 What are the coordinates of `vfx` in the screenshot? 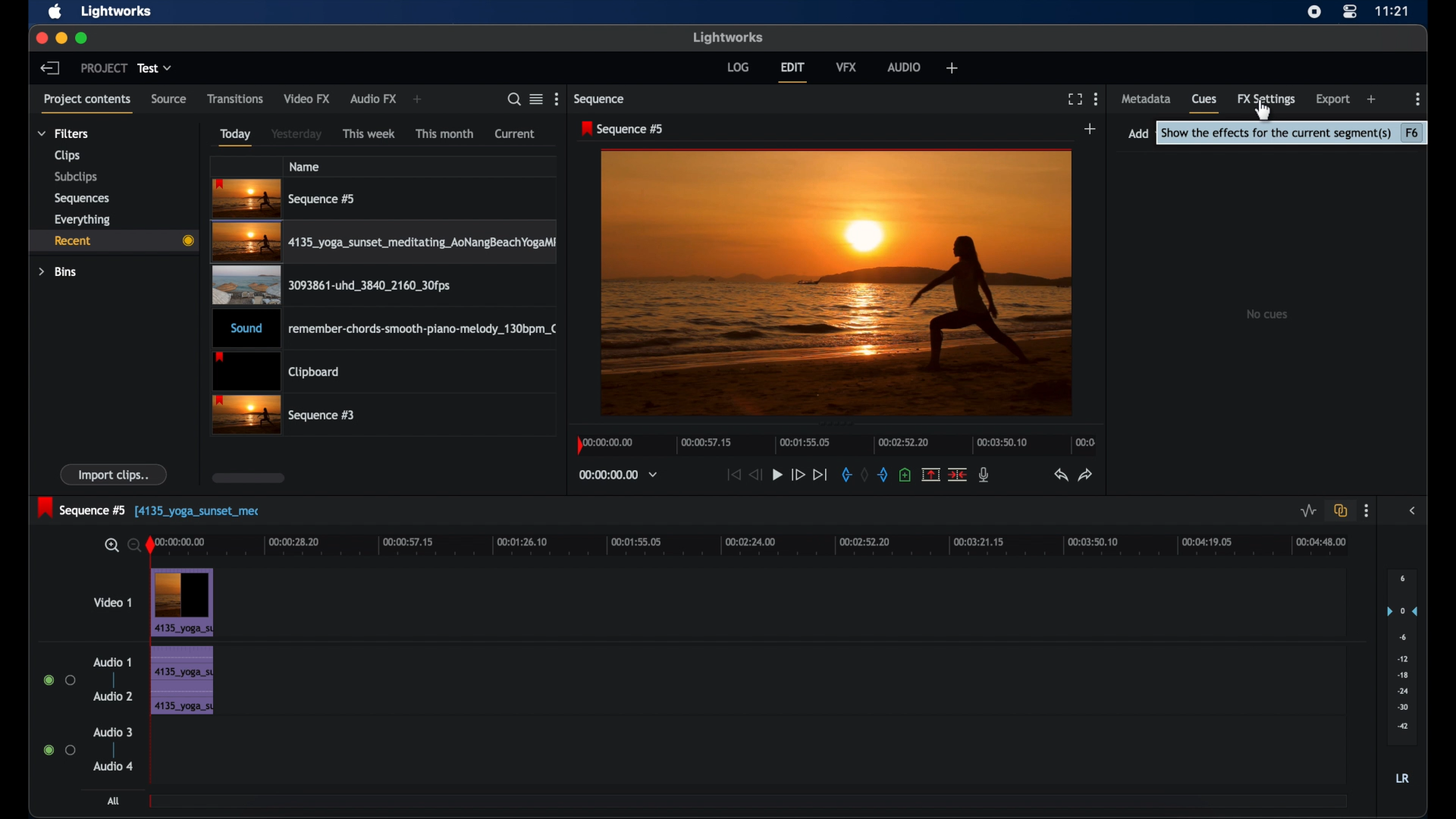 It's located at (846, 66).